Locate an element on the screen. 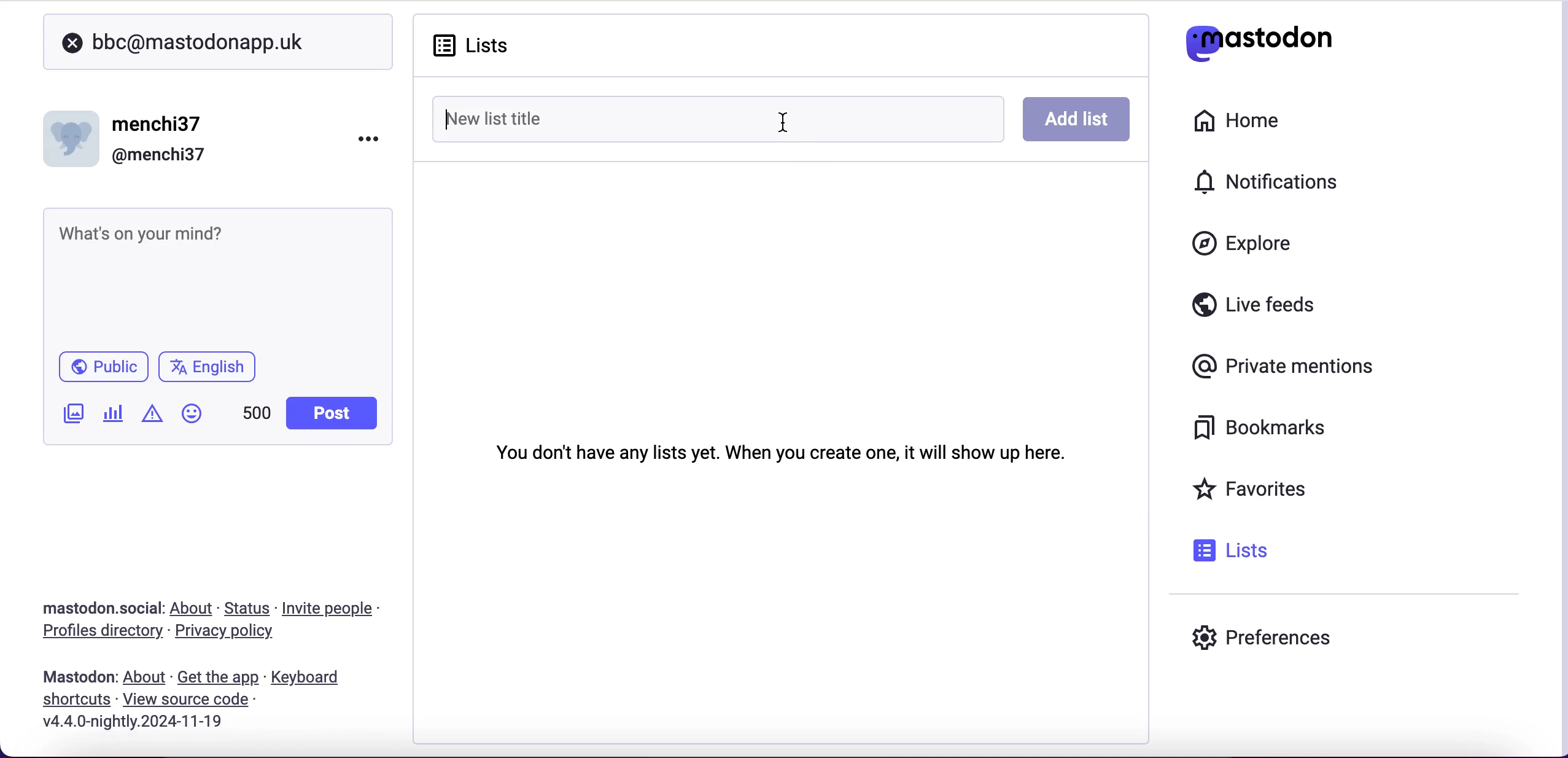 The width and height of the screenshot is (1568, 758). keyboard is located at coordinates (309, 679).